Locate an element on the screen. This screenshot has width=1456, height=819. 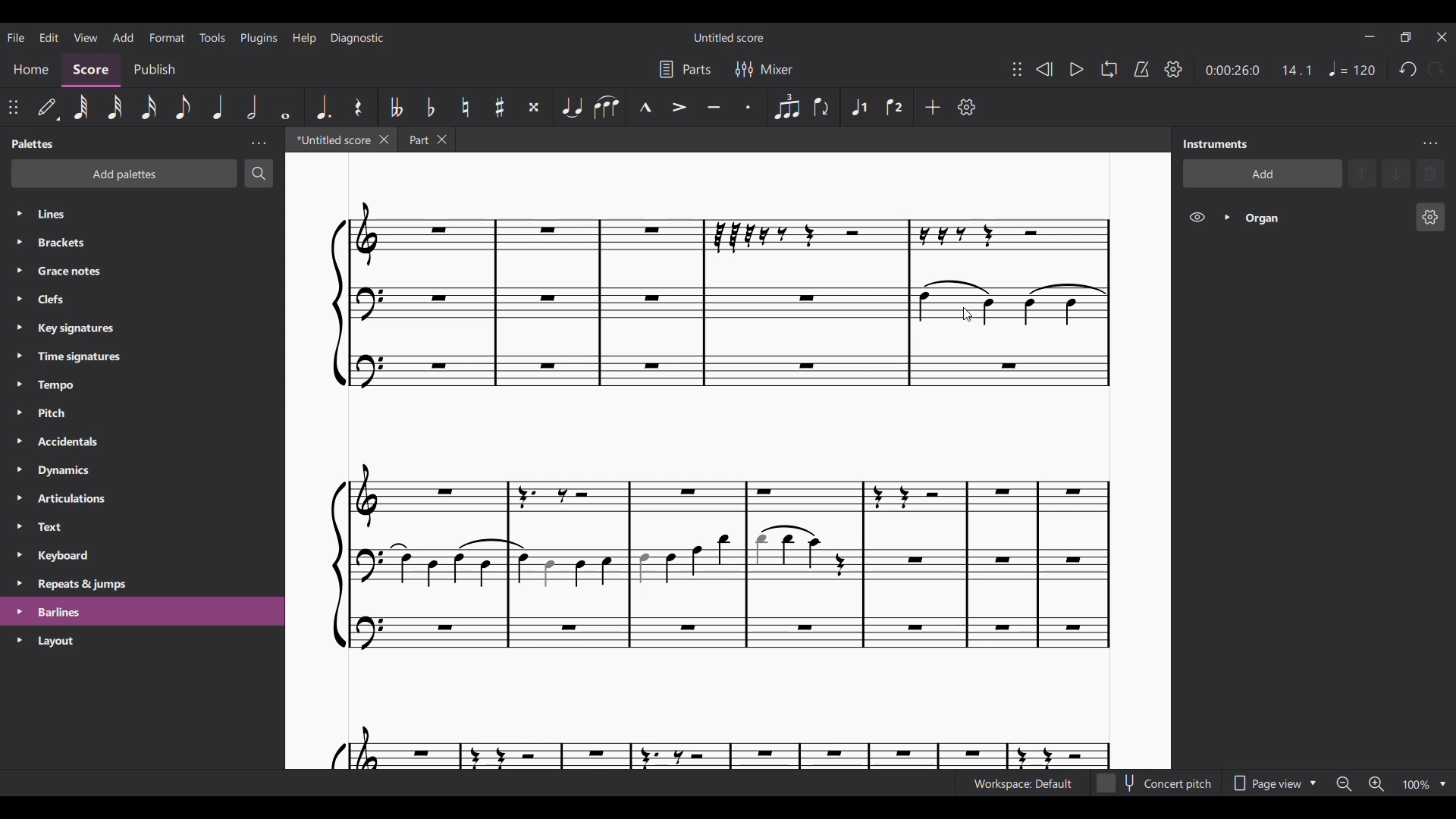
List of palette in panel is located at coordinates (158, 428).